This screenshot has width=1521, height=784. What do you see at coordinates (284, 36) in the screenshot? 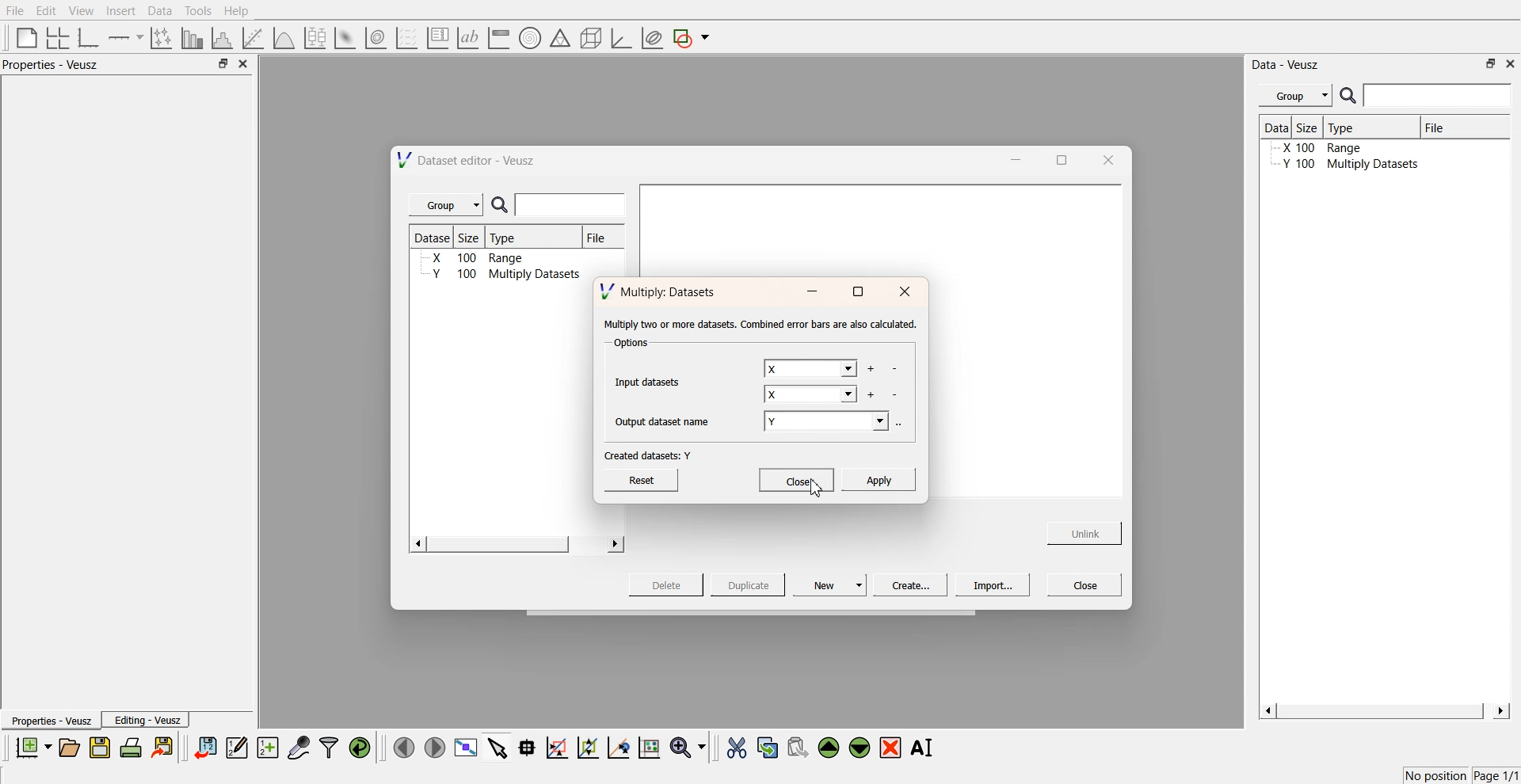
I see `plot a function on a graph` at bounding box center [284, 36].